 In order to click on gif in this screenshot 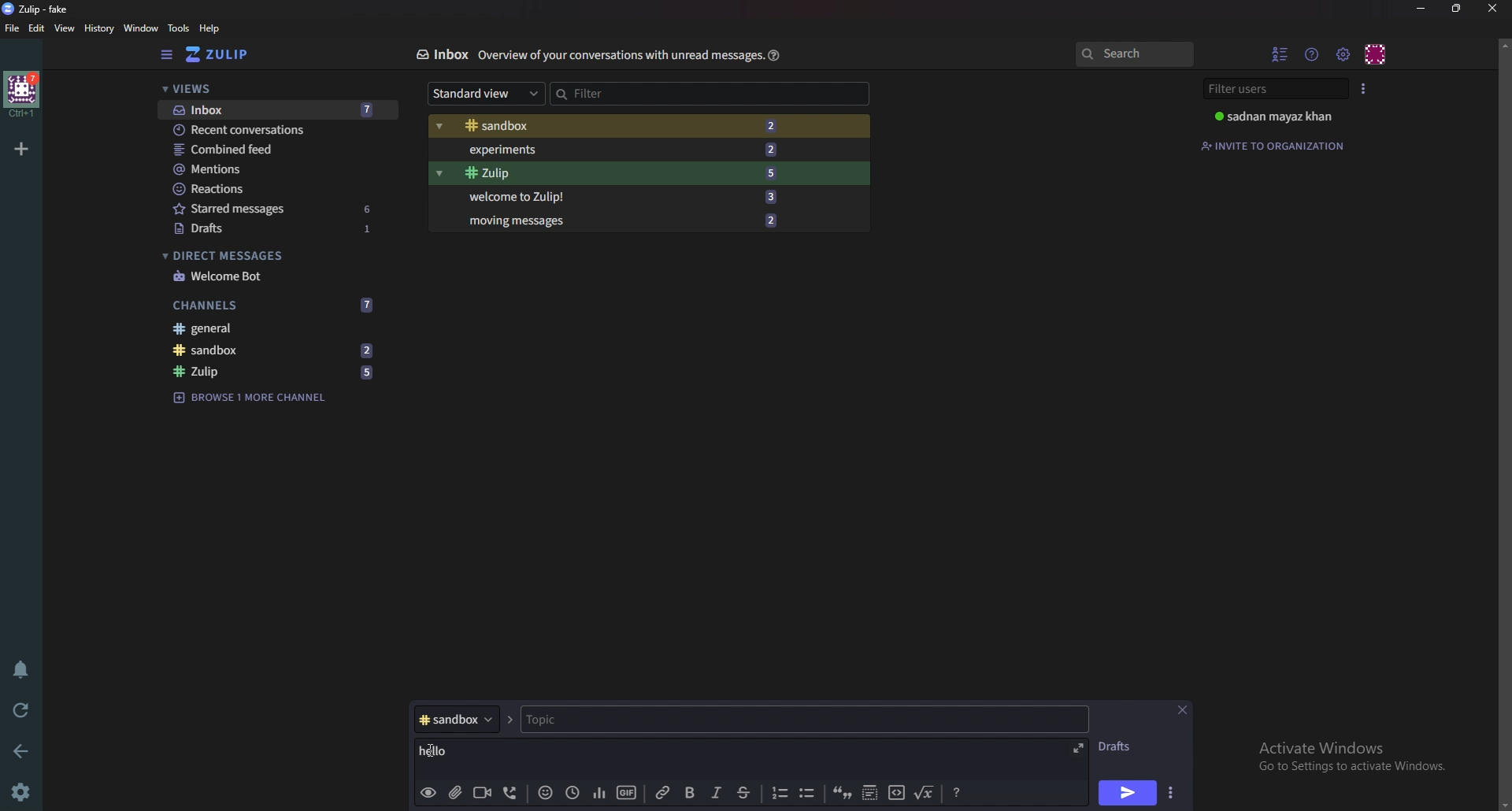, I will do `click(624, 793)`.